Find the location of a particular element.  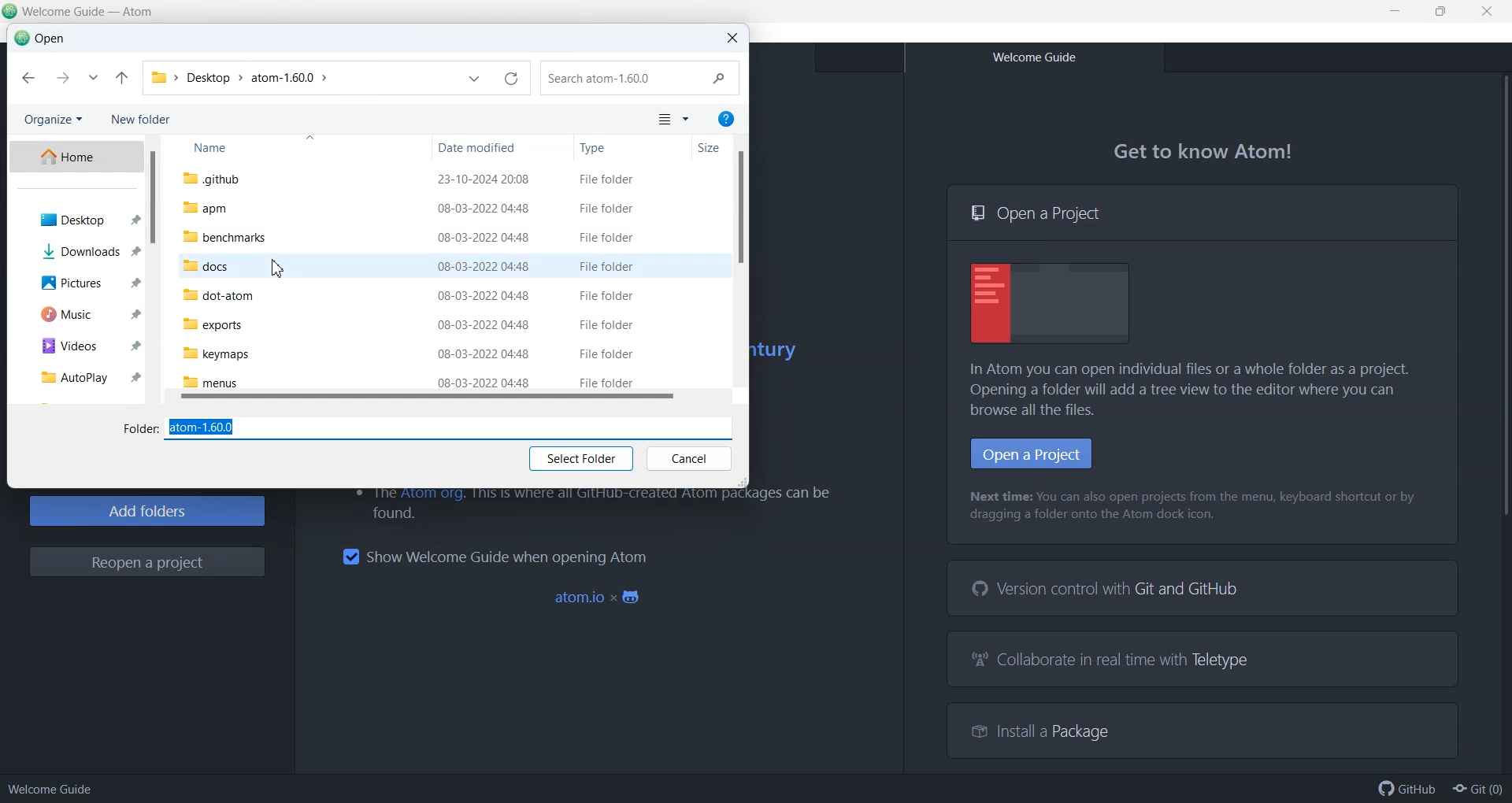

08-03-2022 04:48 is located at coordinates (484, 324).